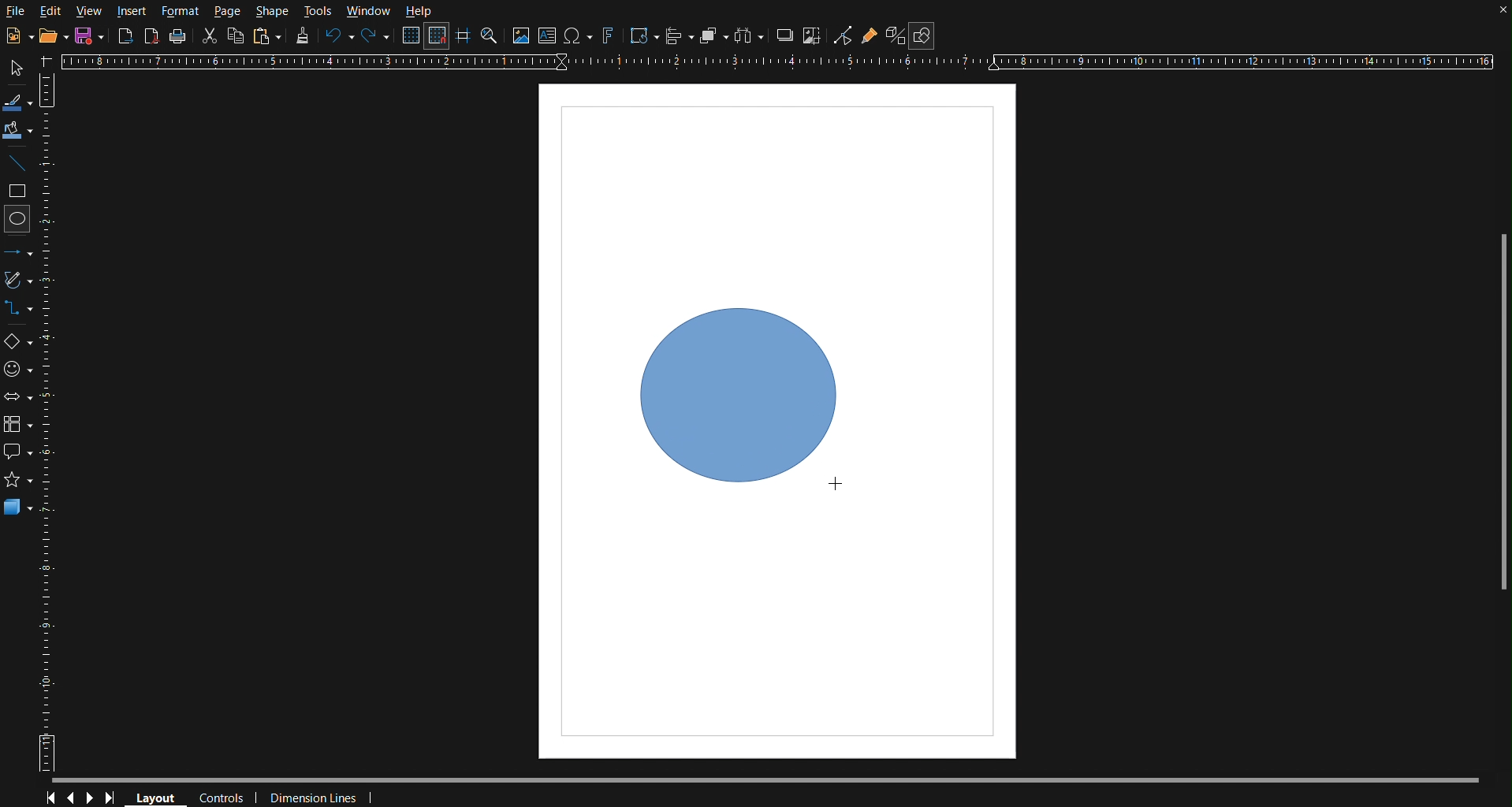  Describe the element at coordinates (161, 796) in the screenshot. I see `Layout` at that location.